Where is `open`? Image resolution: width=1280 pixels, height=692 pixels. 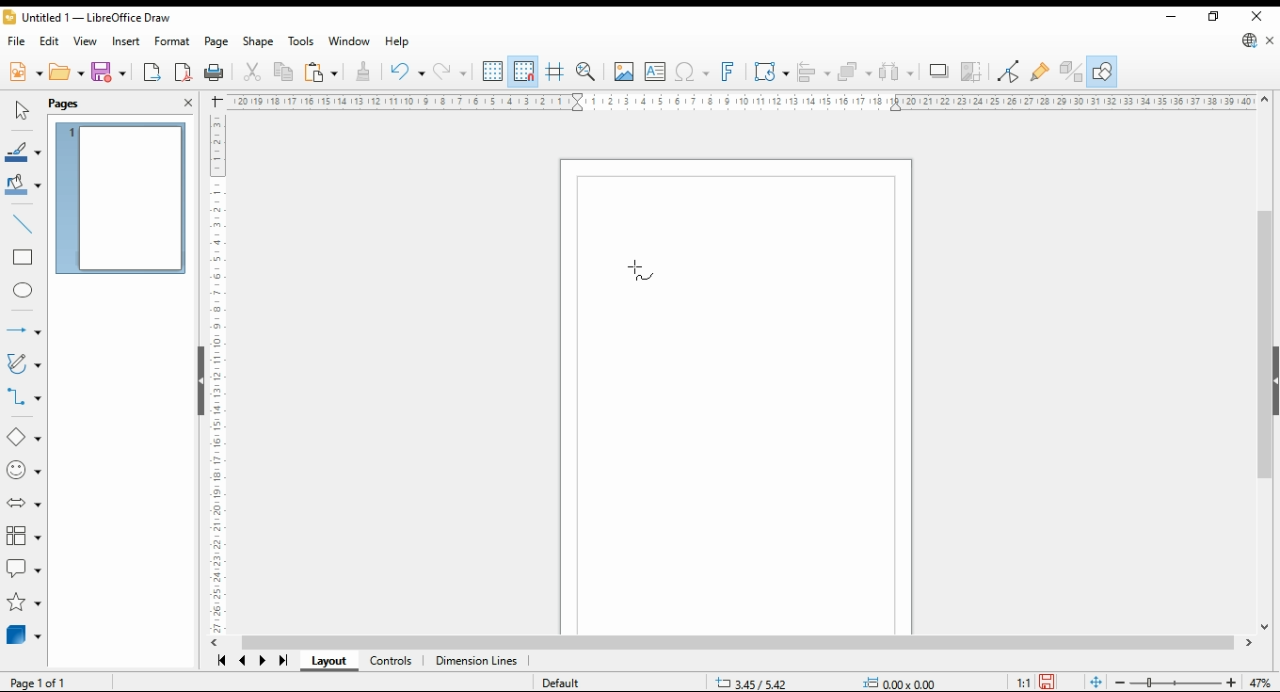
open is located at coordinates (66, 71).